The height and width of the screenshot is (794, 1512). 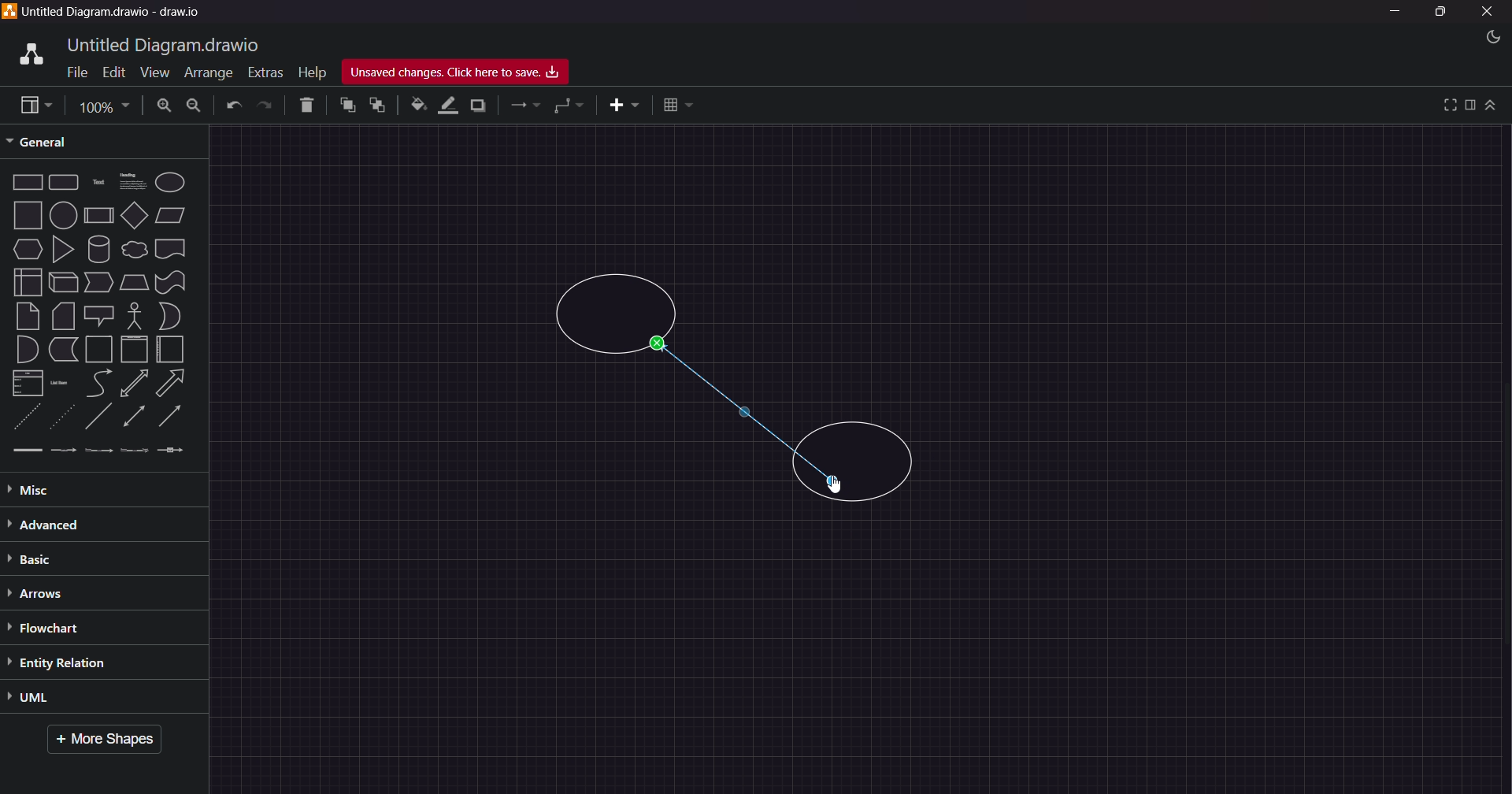 I want to click on view, so click(x=31, y=105).